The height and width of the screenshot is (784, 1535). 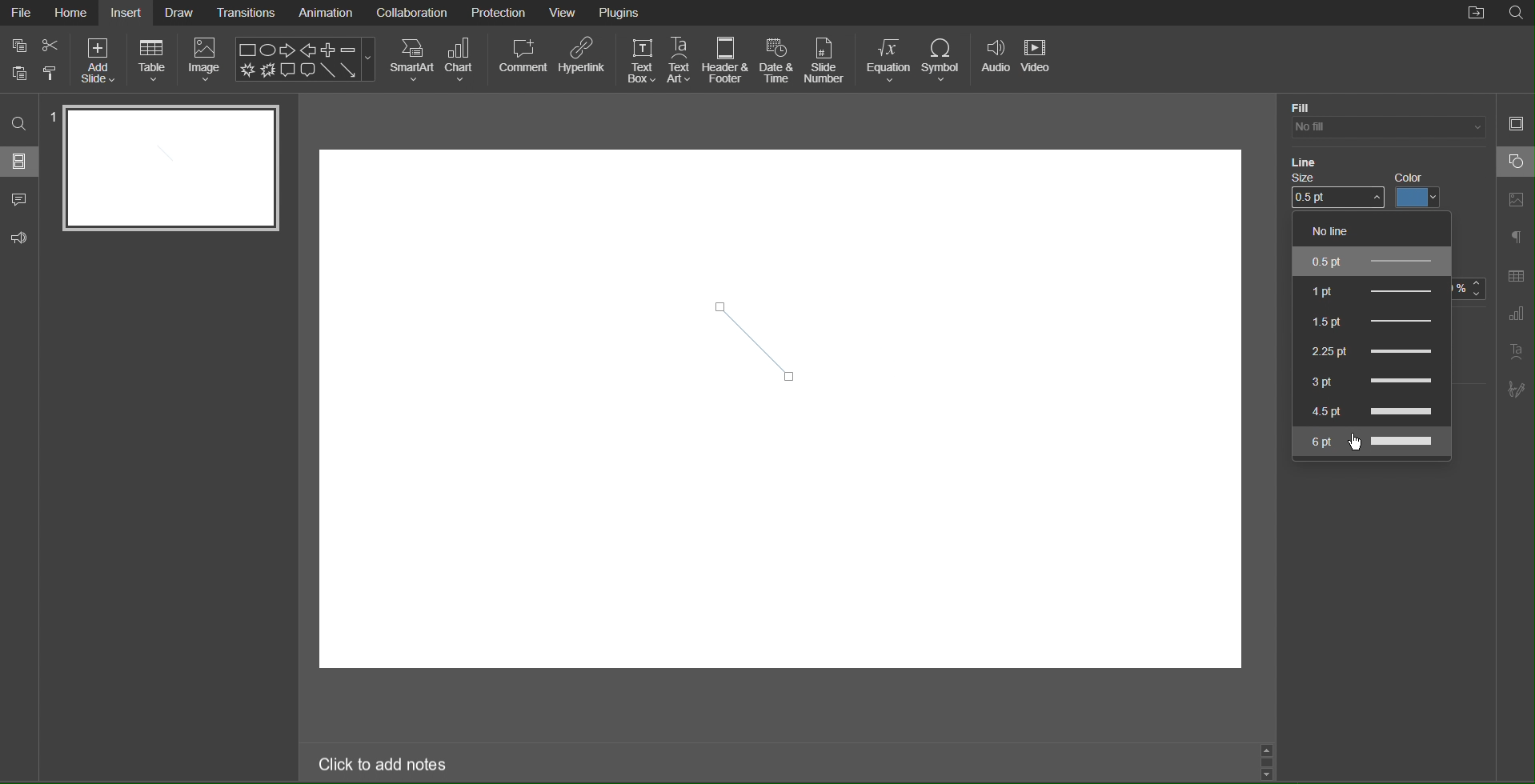 I want to click on Comment, so click(x=522, y=60).